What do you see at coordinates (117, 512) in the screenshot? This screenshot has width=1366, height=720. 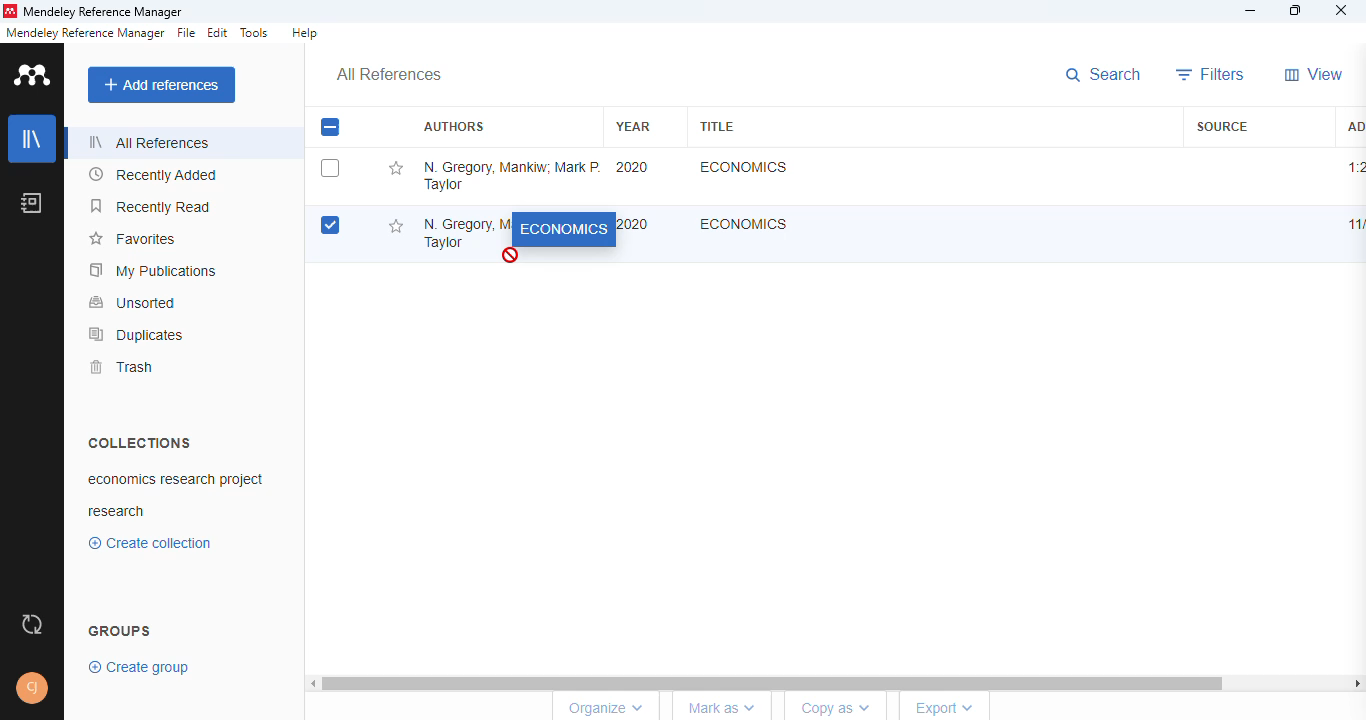 I see `research` at bounding box center [117, 512].